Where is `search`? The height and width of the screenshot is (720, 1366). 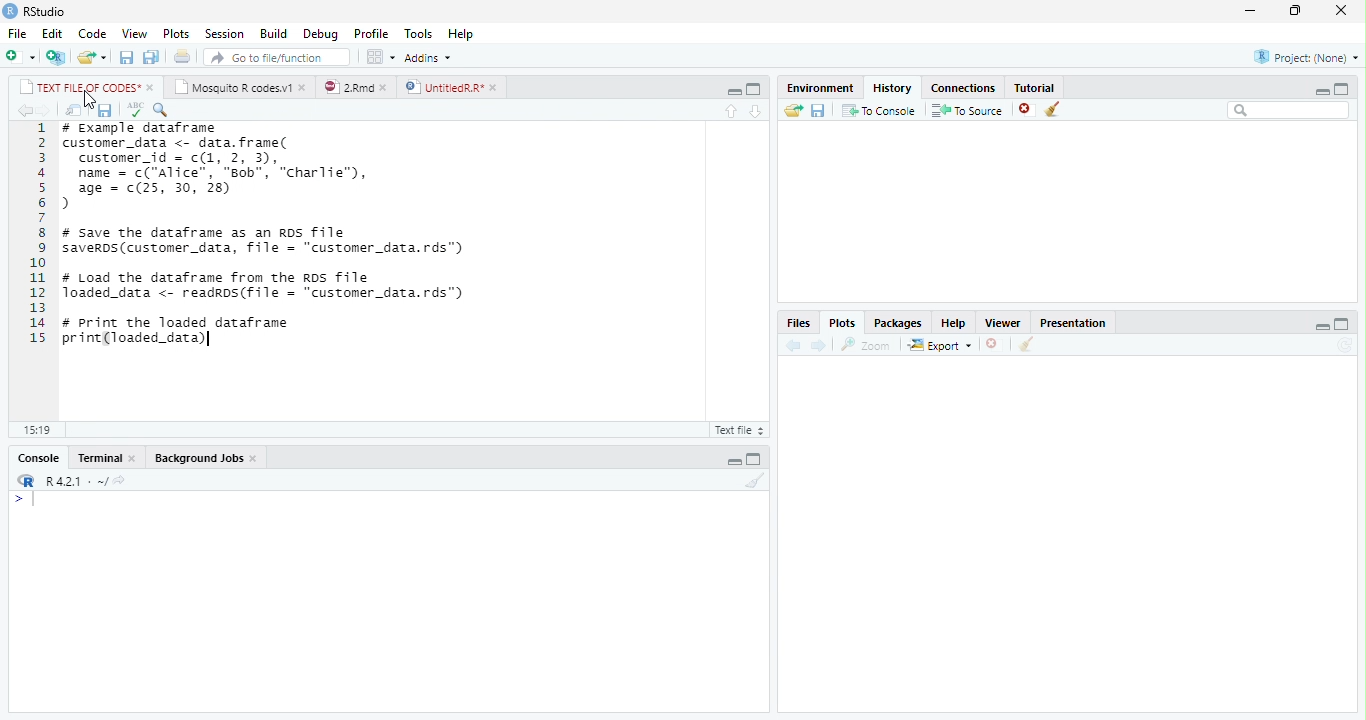 search is located at coordinates (1289, 110).